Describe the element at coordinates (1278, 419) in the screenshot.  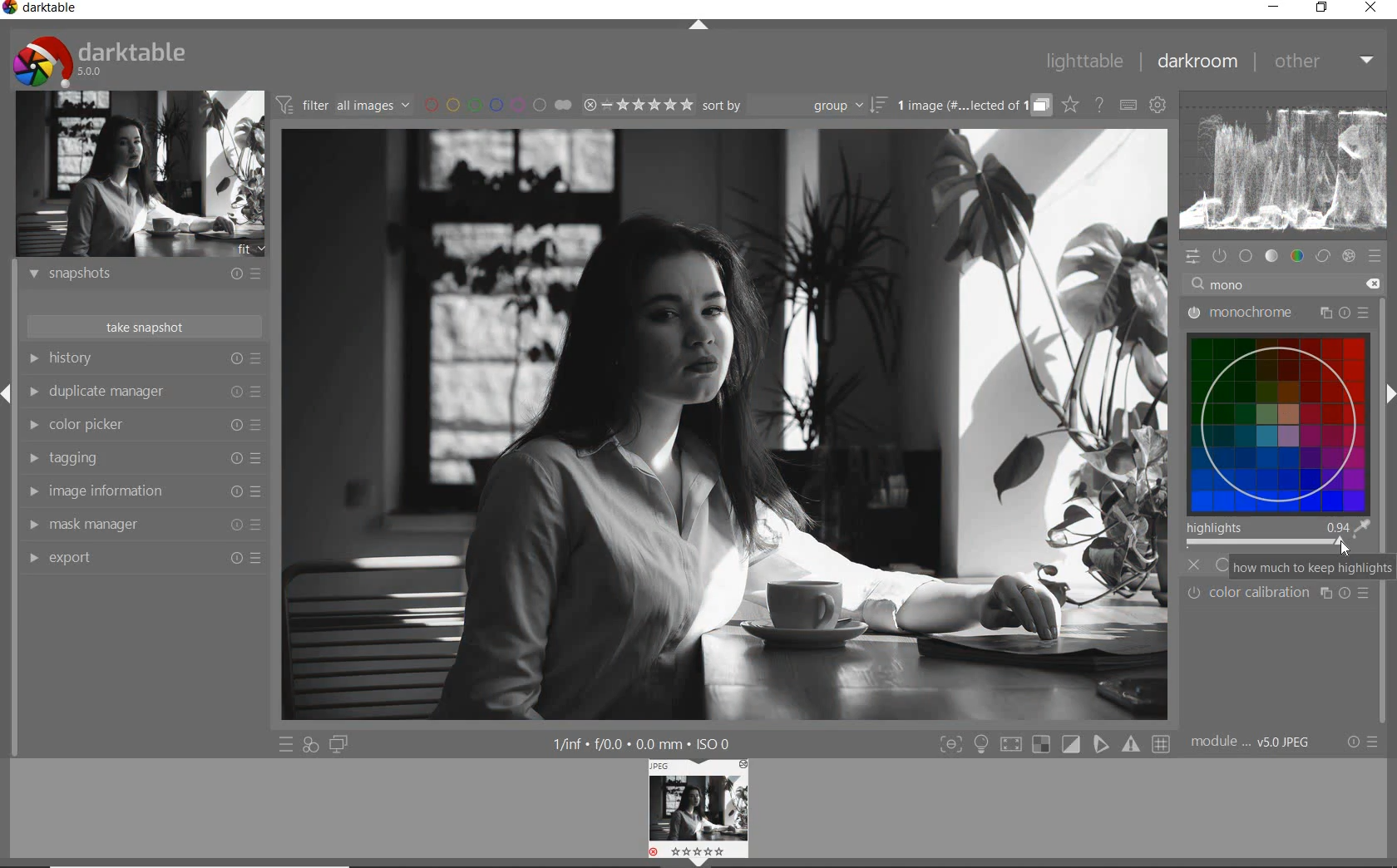
I see `virtual color map` at that location.